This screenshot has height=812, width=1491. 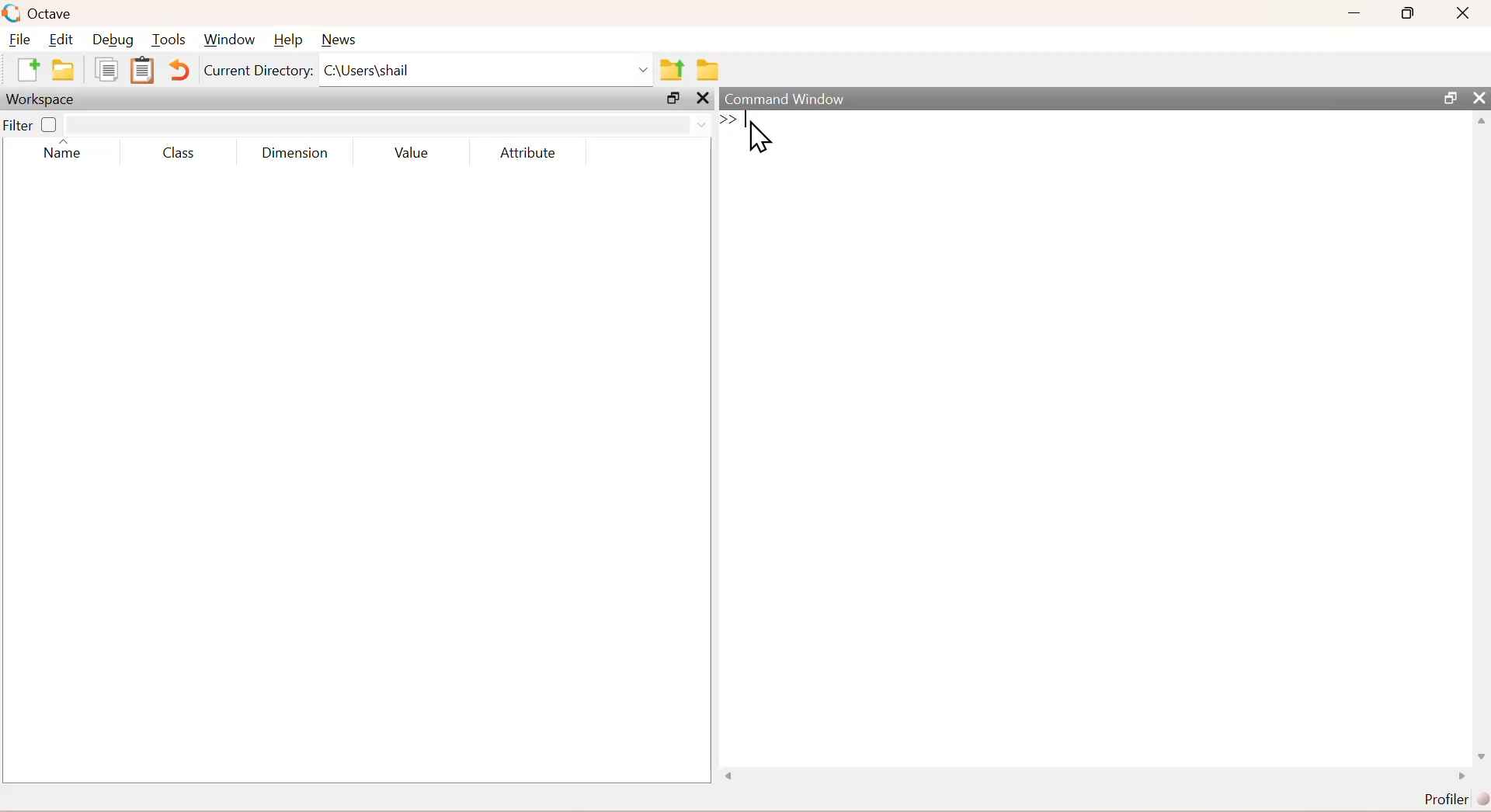 I want to click on Left, so click(x=727, y=774).